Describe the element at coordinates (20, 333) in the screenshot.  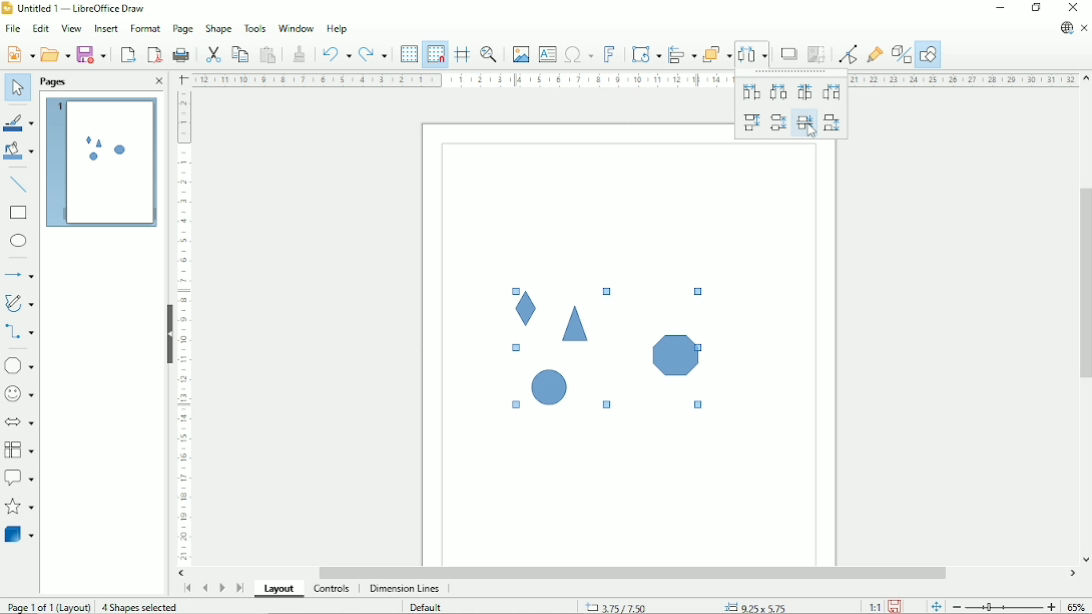
I see `Connectors` at that location.